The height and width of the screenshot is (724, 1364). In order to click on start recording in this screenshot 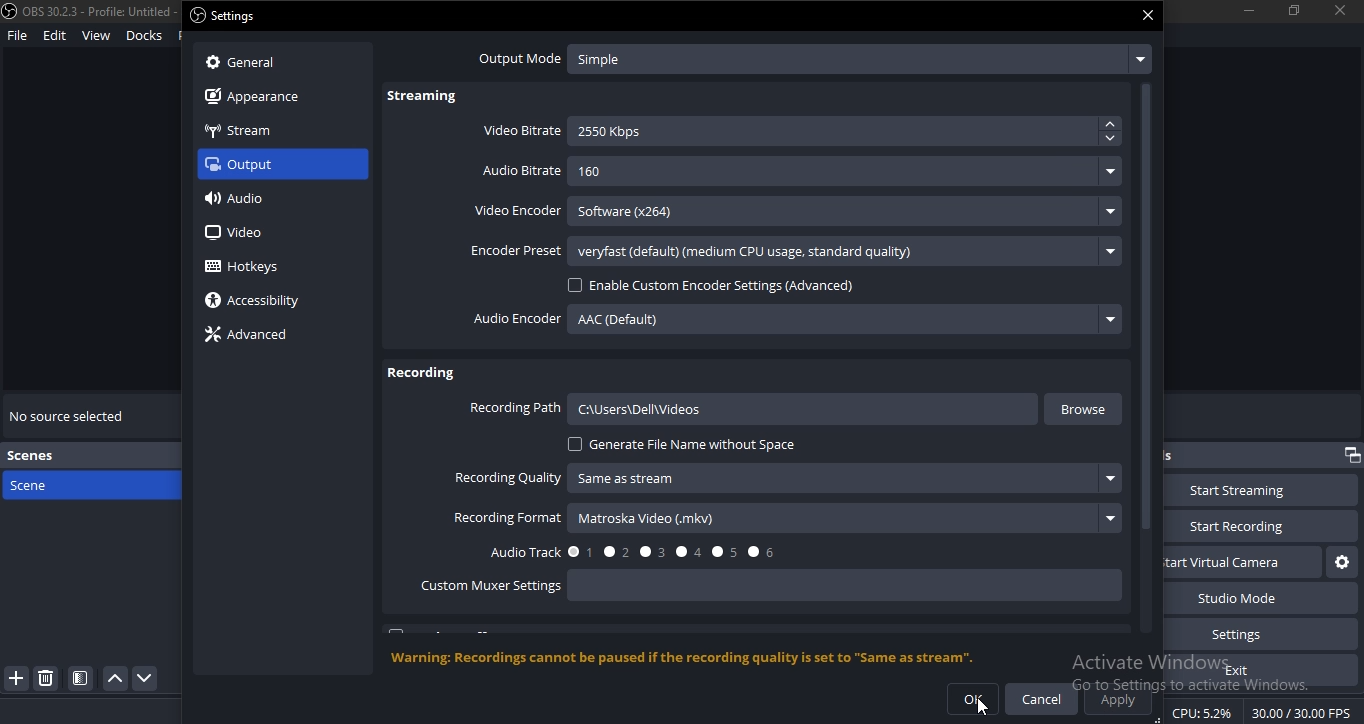, I will do `click(1259, 524)`.